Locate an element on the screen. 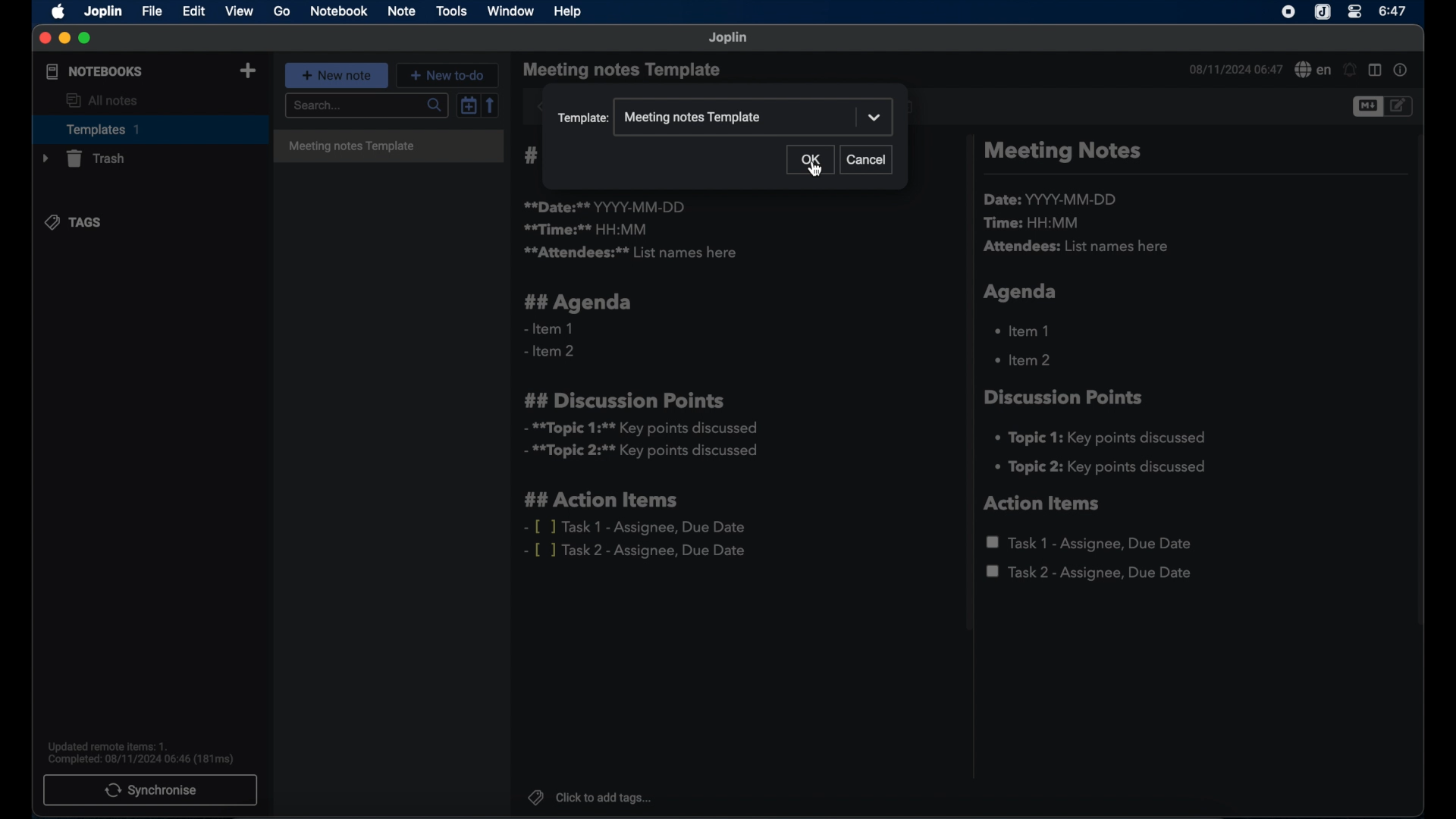  - item 2 is located at coordinates (551, 352).